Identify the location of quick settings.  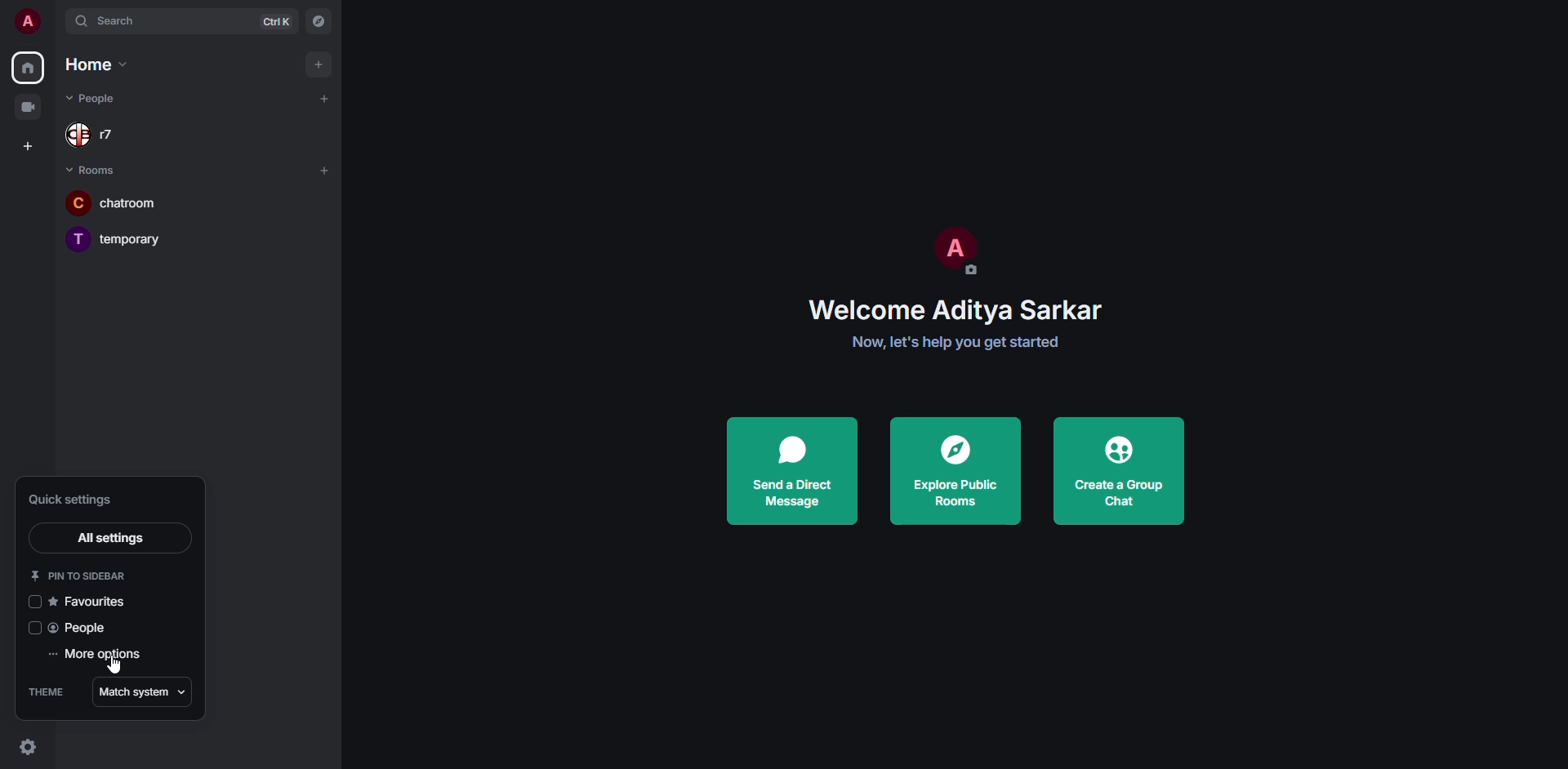
(71, 500).